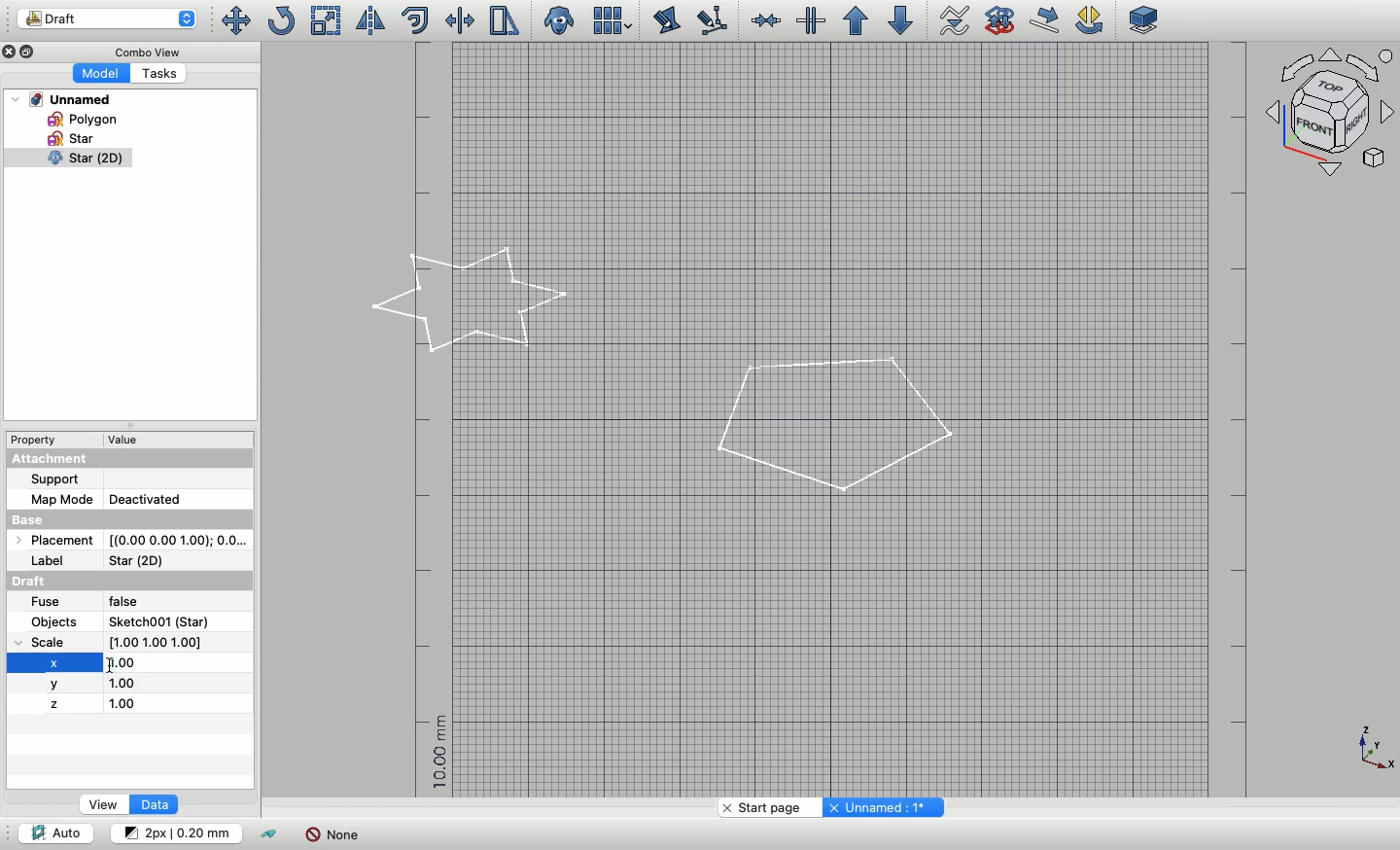 The height and width of the screenshot is (850, 1400). I want to click on Model, so click(99, 74).